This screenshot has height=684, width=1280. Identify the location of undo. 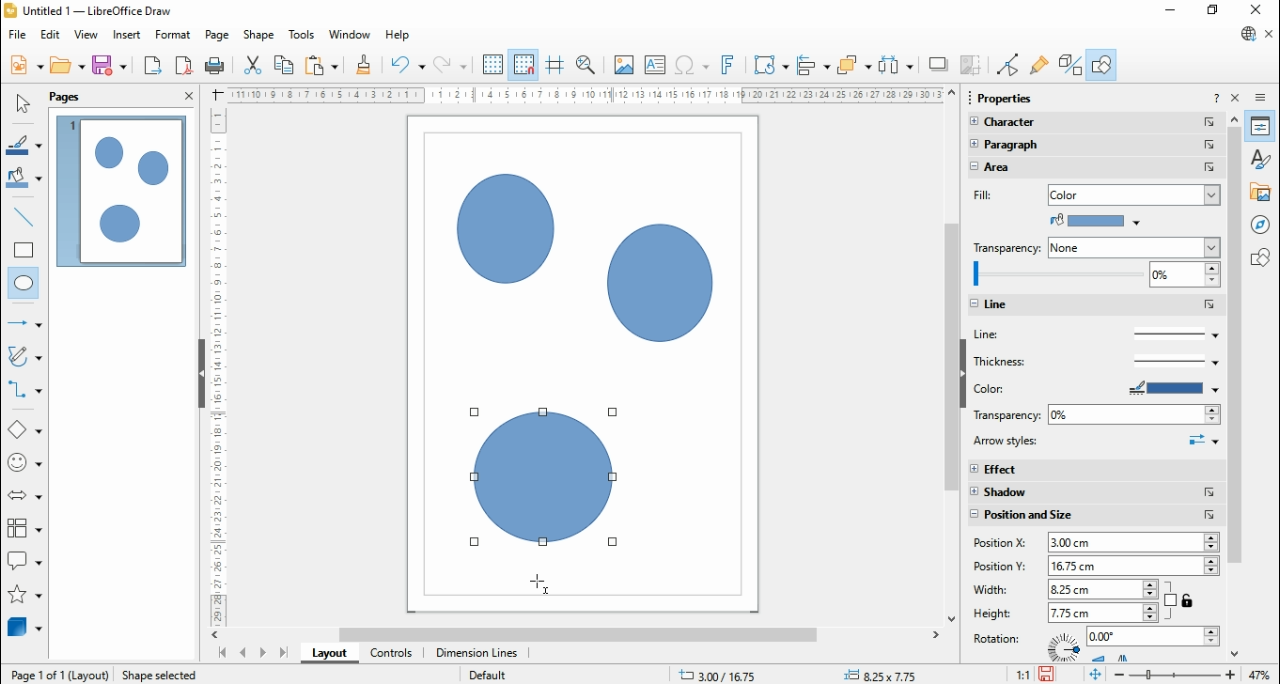
(408, 65).